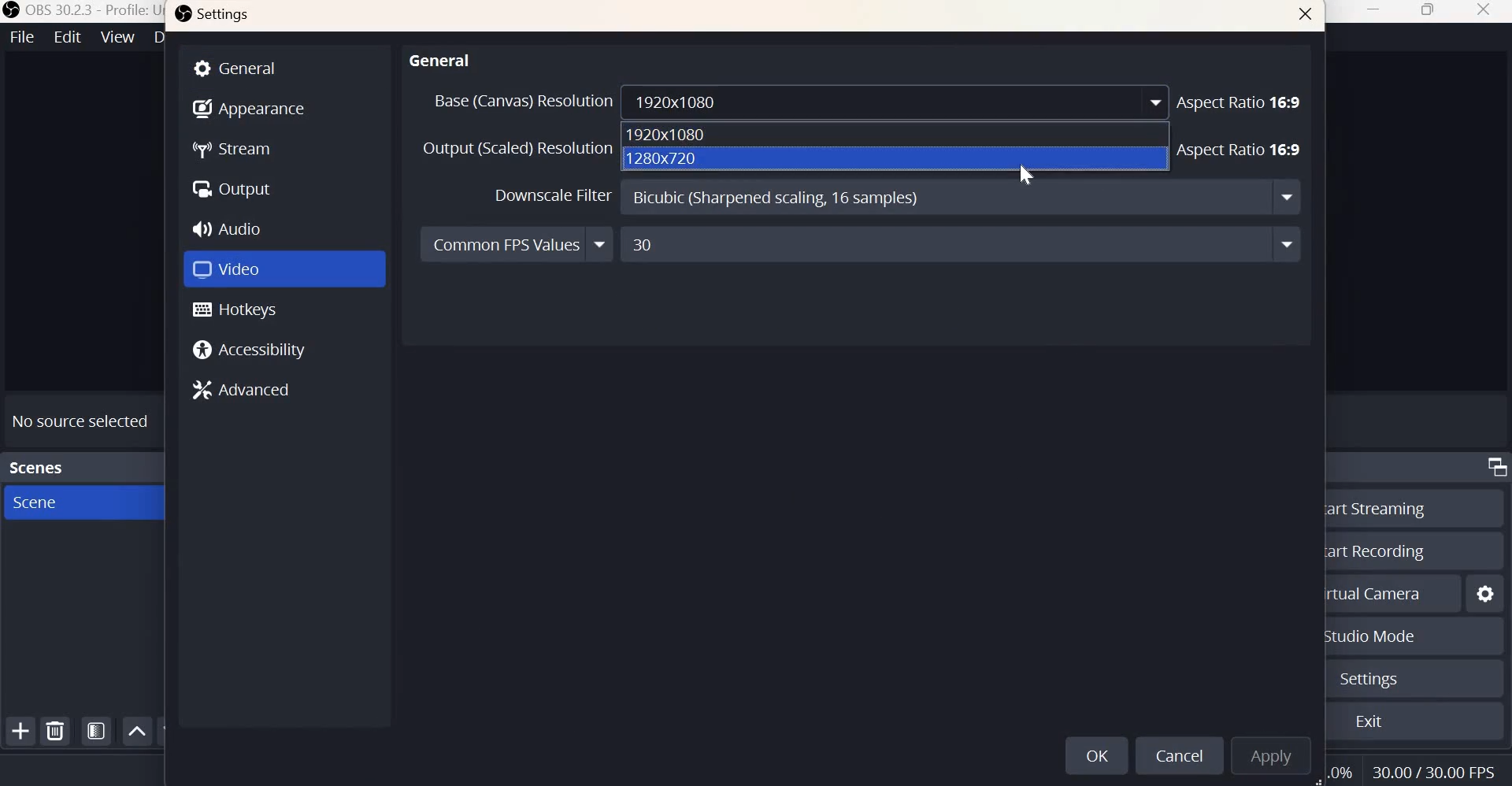 The width and height of the screenshot is (1512, 786). I want to click on File, so click(20, 37).